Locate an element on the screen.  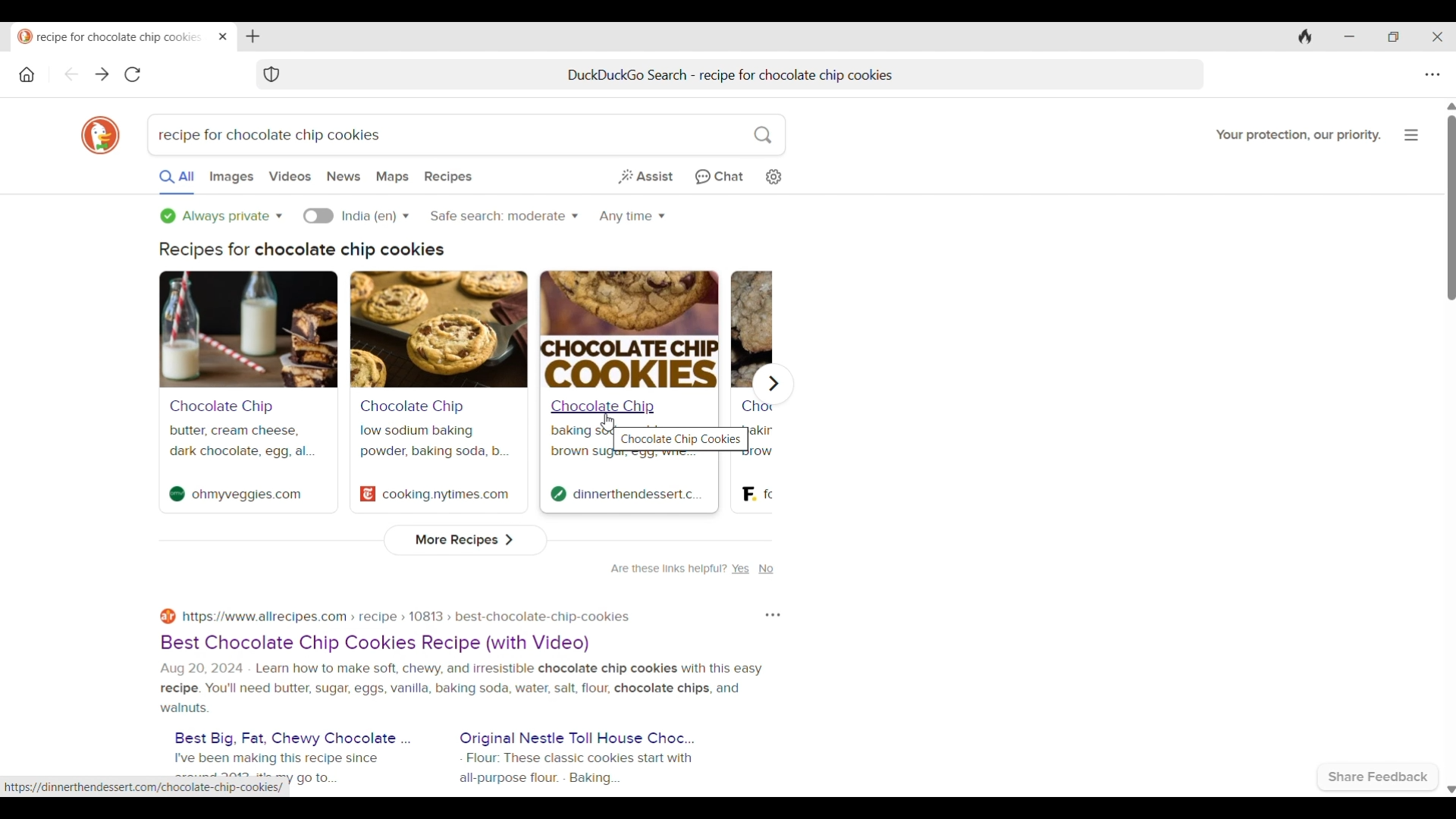
Close tab is located at coordinates (224, 37).